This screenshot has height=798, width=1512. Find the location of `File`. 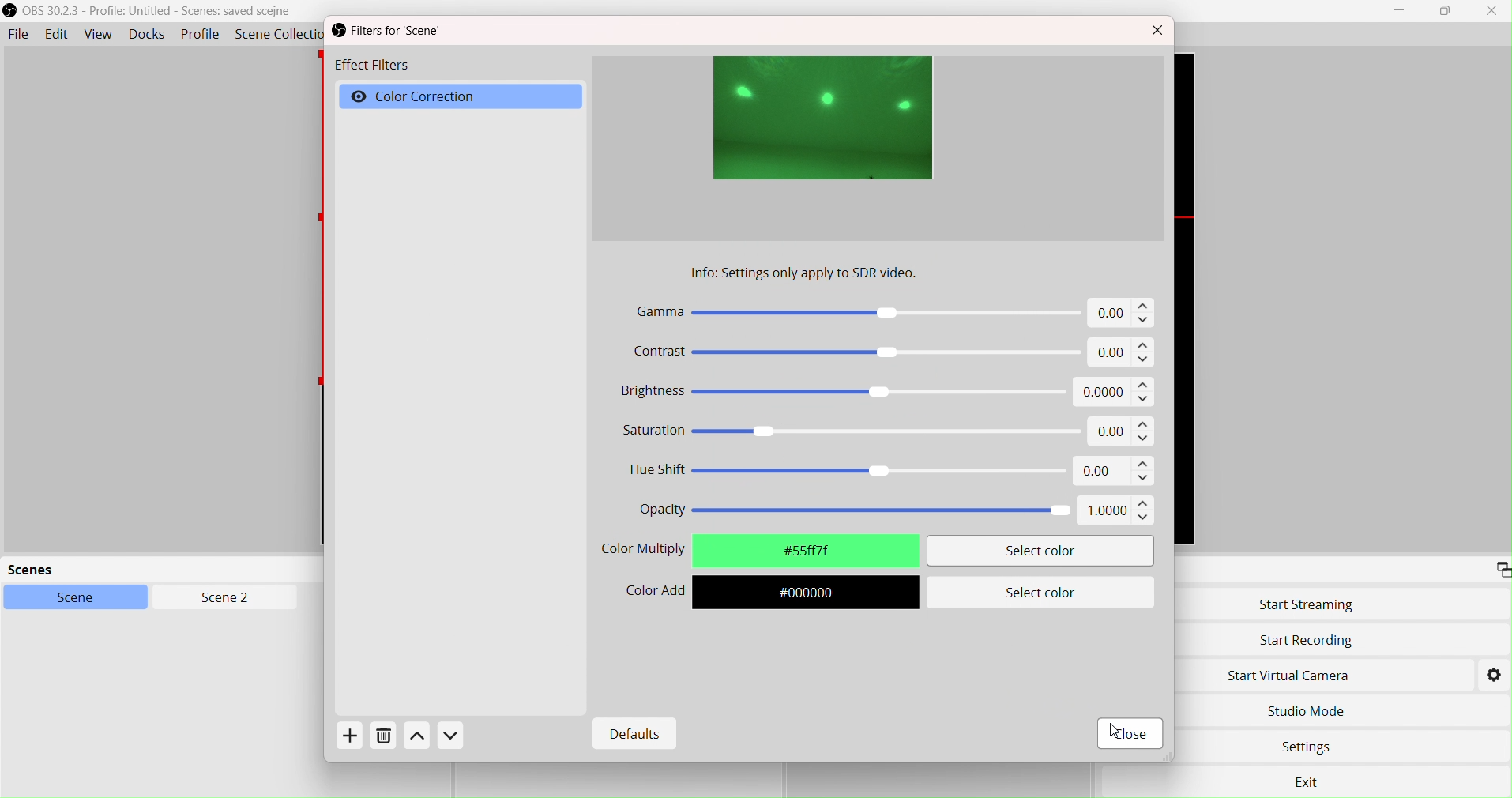

File is located at coordinates (18, 35).